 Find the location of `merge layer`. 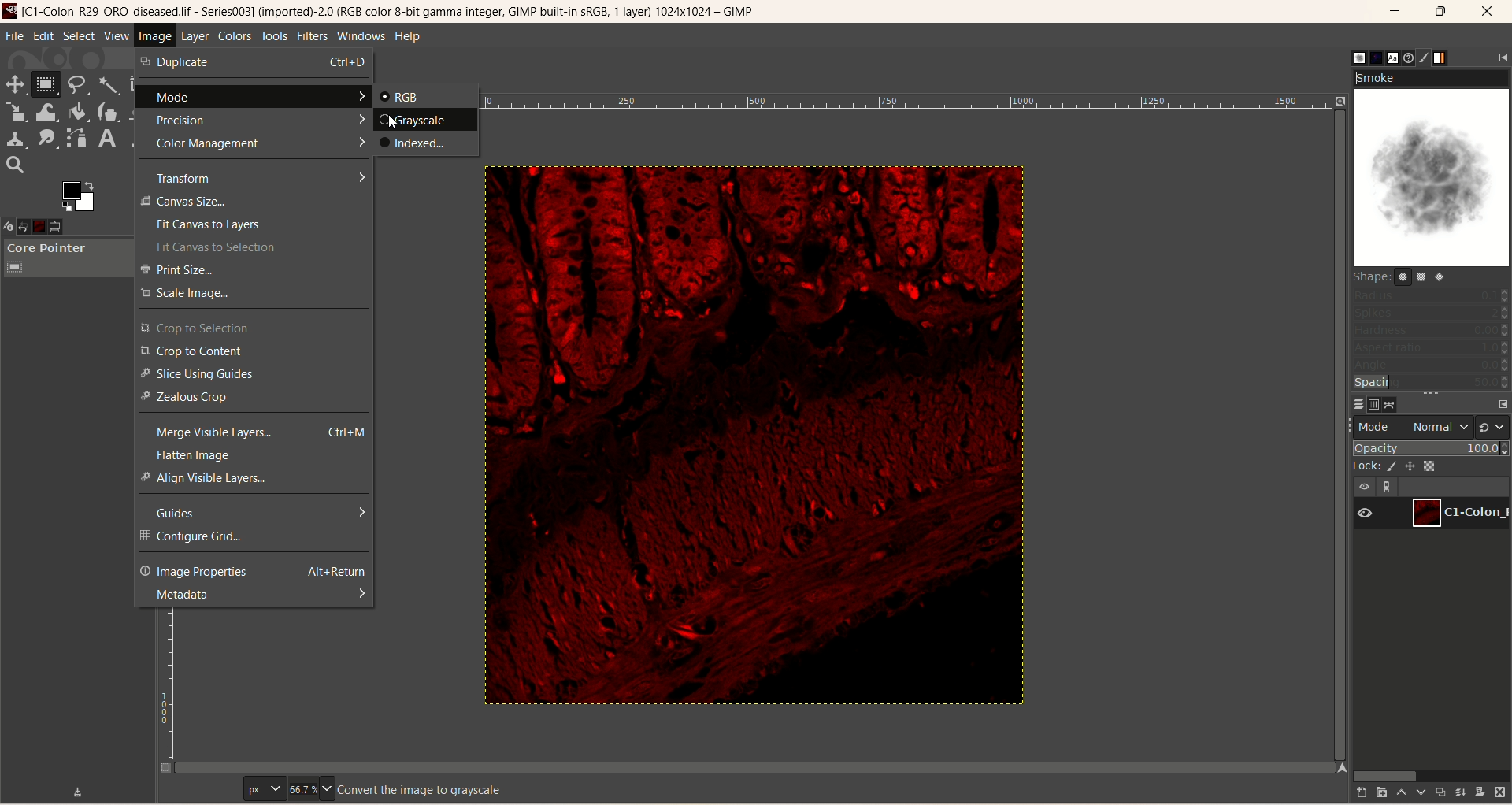

merge layer is located at coordinates (1461, 795).